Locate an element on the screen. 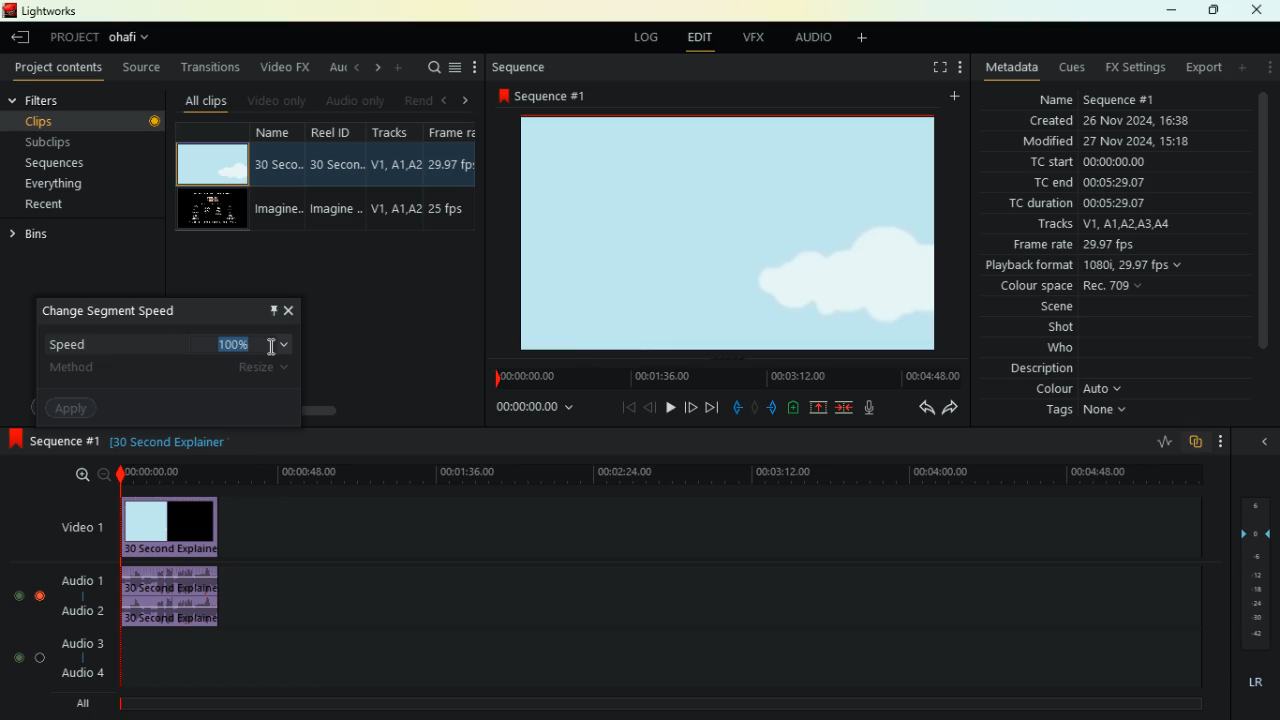  transitions is located at coordinates (213, 69).